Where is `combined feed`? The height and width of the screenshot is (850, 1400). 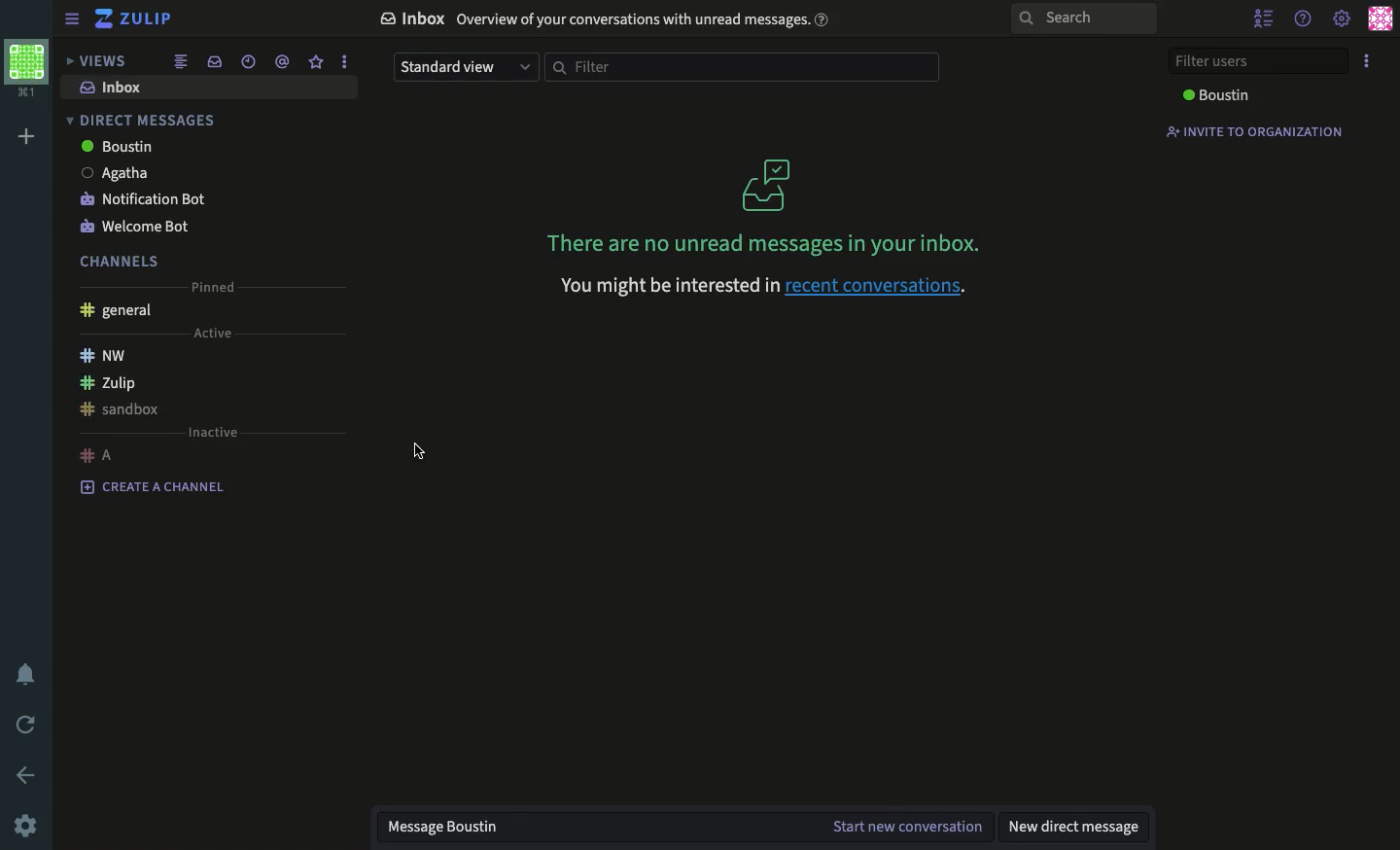 combined feed is located at coordinates (183, 62).